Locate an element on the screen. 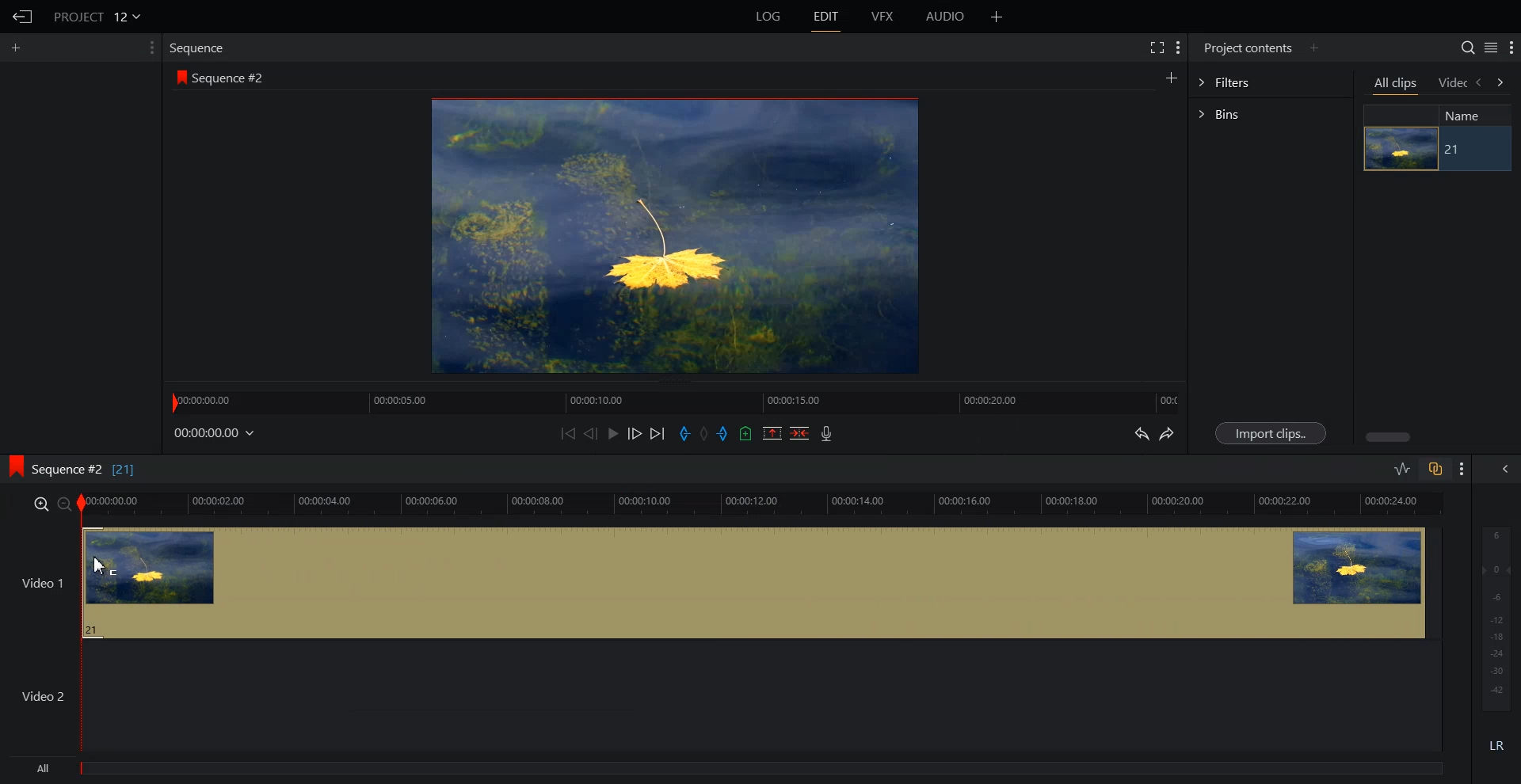 The image size is (1521, 784). Bins is located at coordinates (1271, 112).